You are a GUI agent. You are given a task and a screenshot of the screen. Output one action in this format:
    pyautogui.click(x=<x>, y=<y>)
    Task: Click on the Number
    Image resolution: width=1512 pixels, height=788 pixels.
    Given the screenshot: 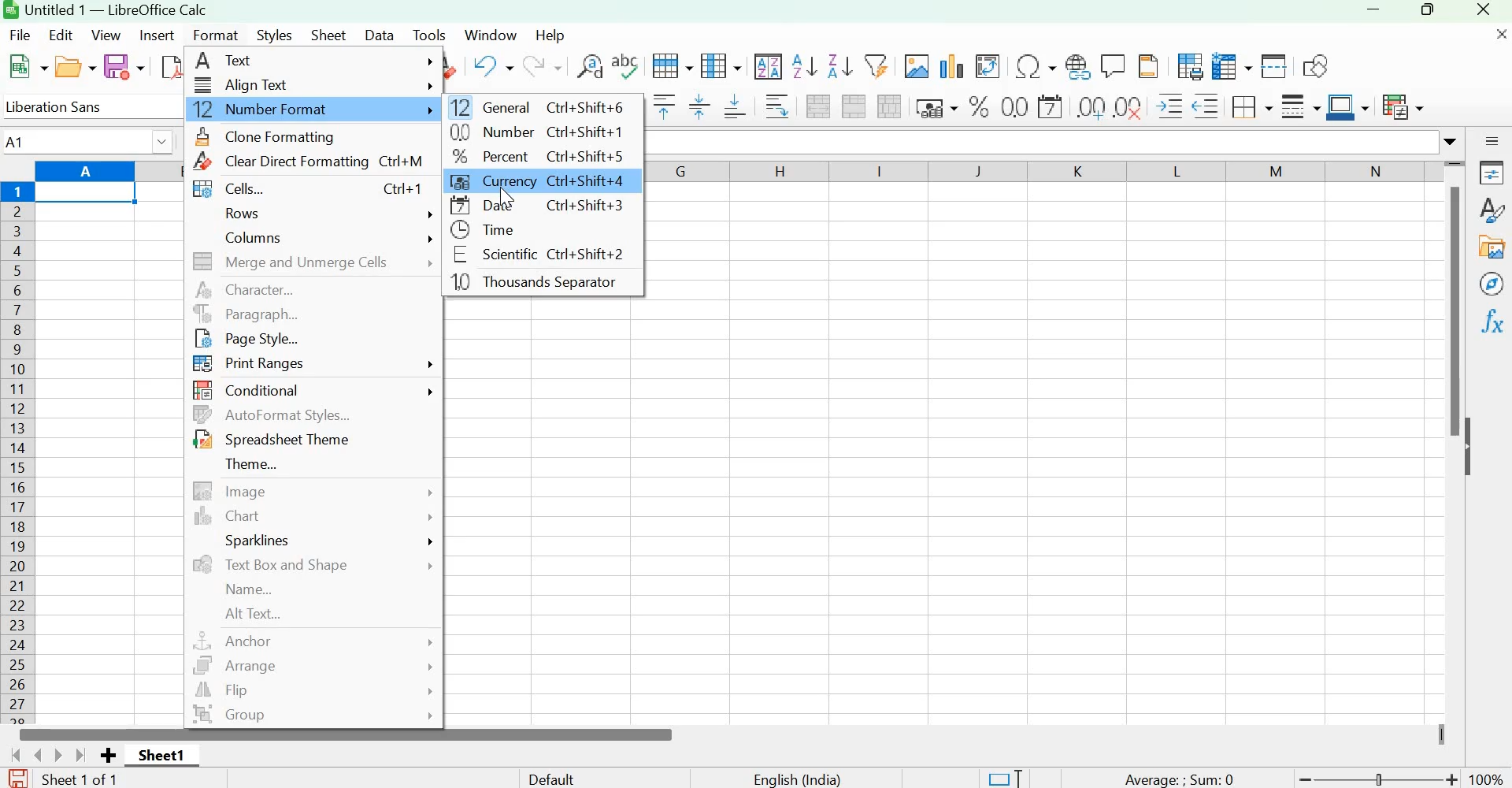 What is the action you would take?
    pyautogui.click(x=532, y=133)
    